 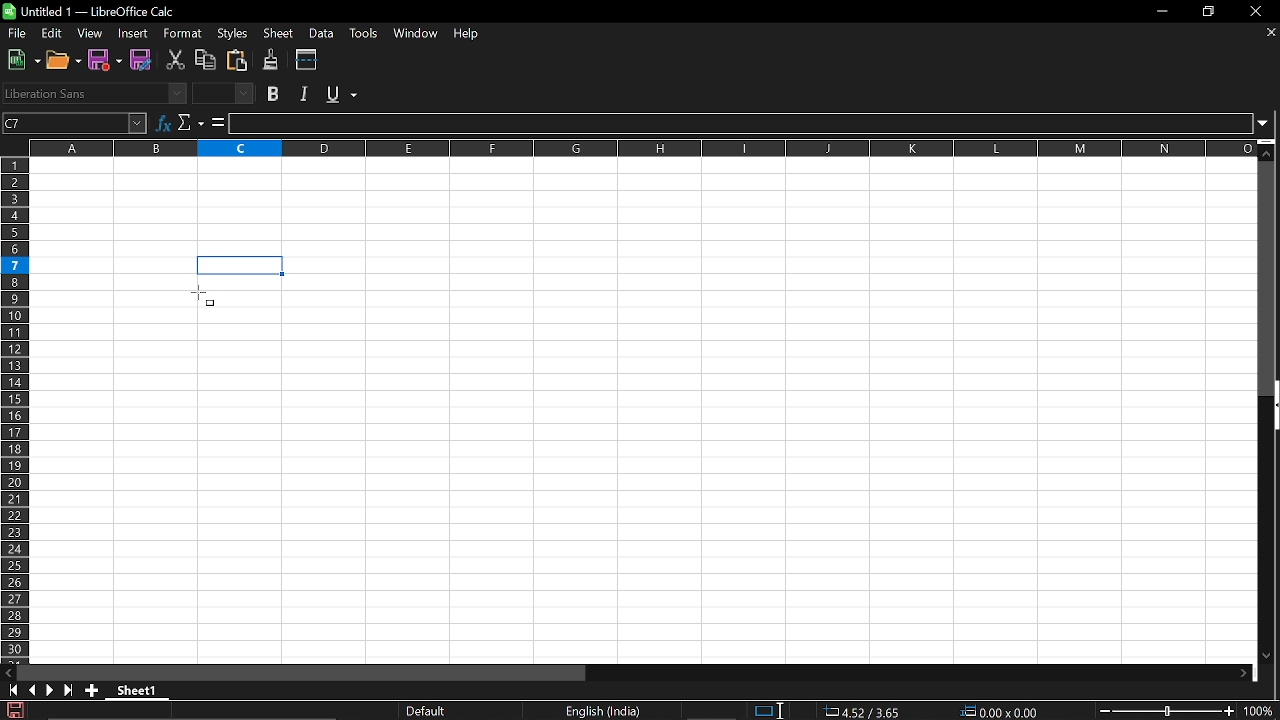 I want to click on Rows, so click(x=16, y=409).